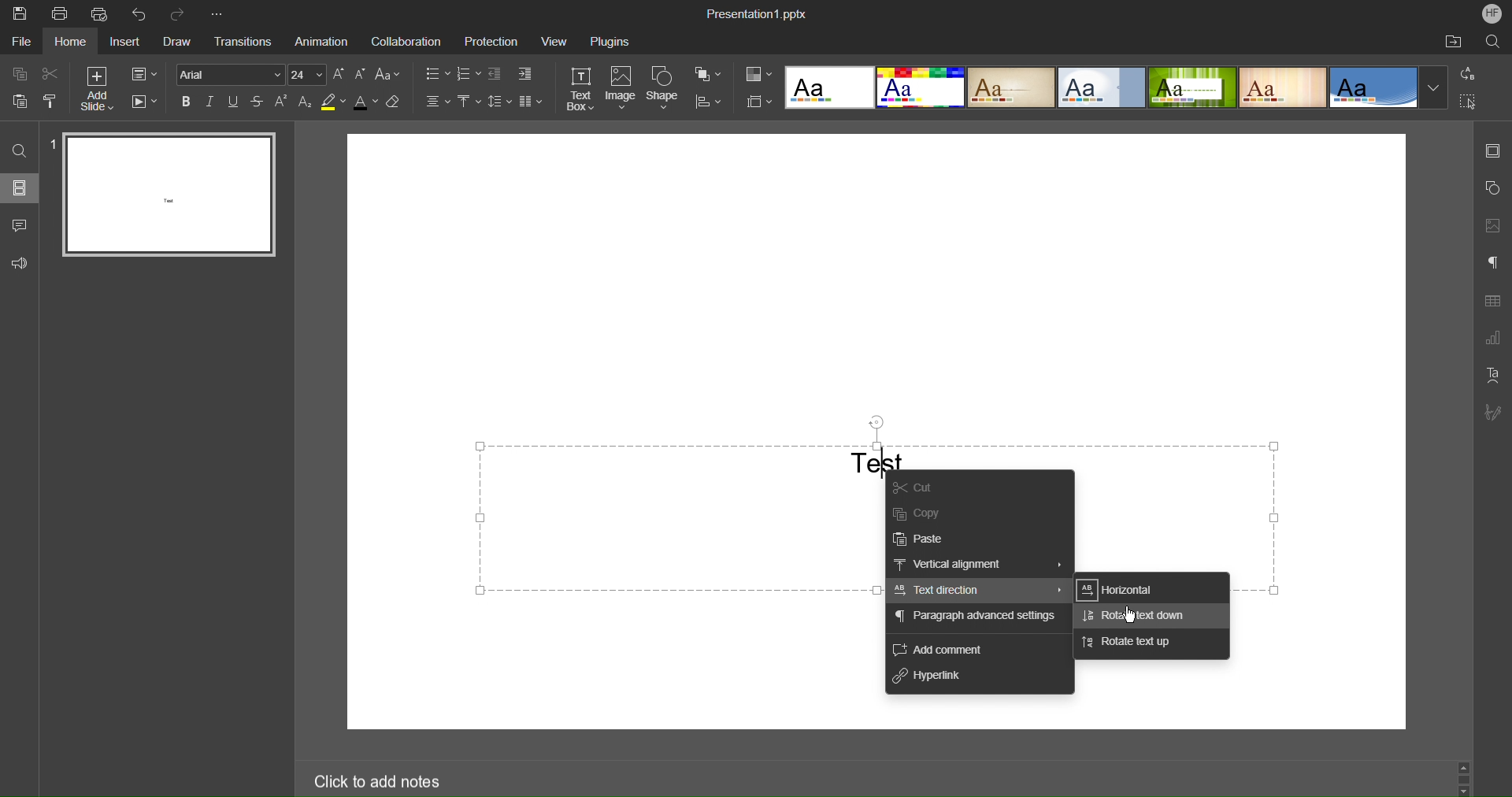 The image size is (1512, 797). I want to click on Animation, so click(323, 40).